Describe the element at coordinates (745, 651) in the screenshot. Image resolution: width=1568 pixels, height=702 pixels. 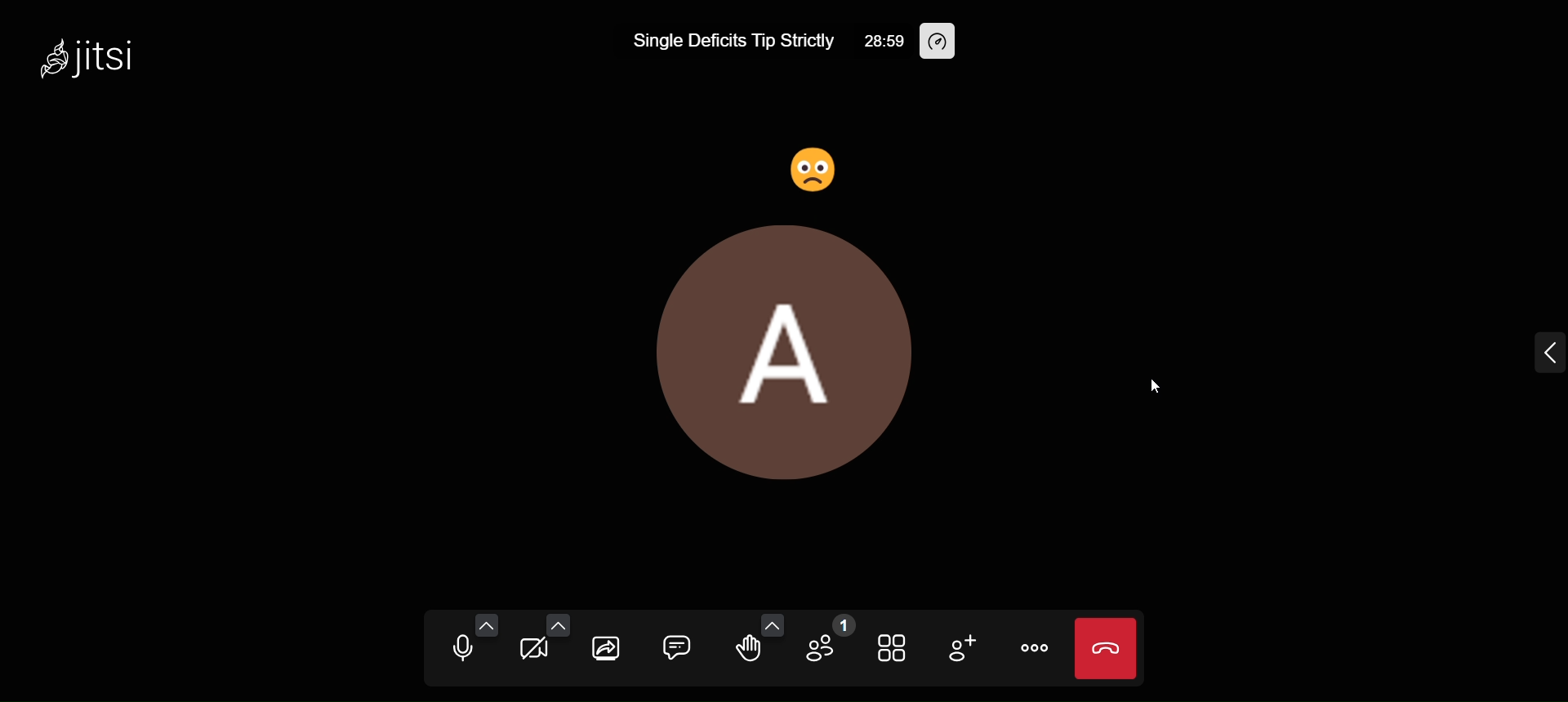
I see `raise your hand` at that location.